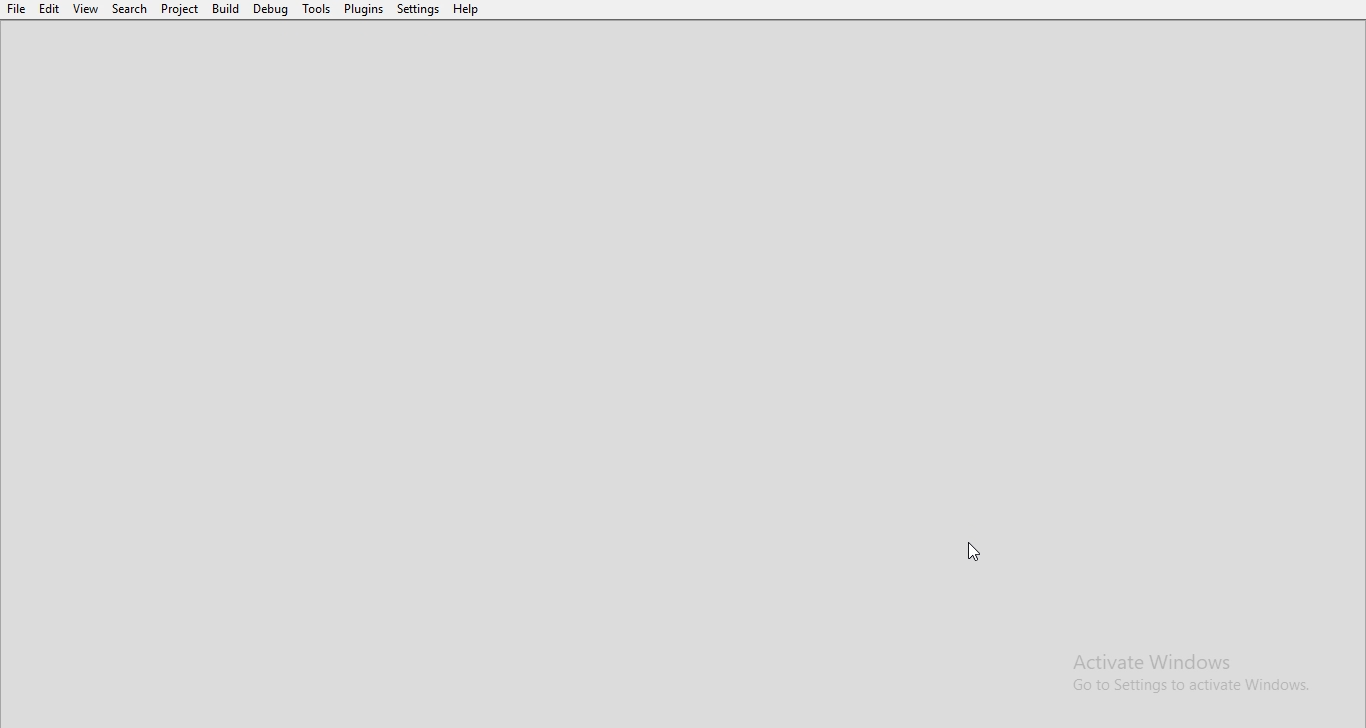 This screenshot has width=1366, height=728. Describe the element at coordinates (419, 10) in the screenshot. I see `Settings ` at that location.